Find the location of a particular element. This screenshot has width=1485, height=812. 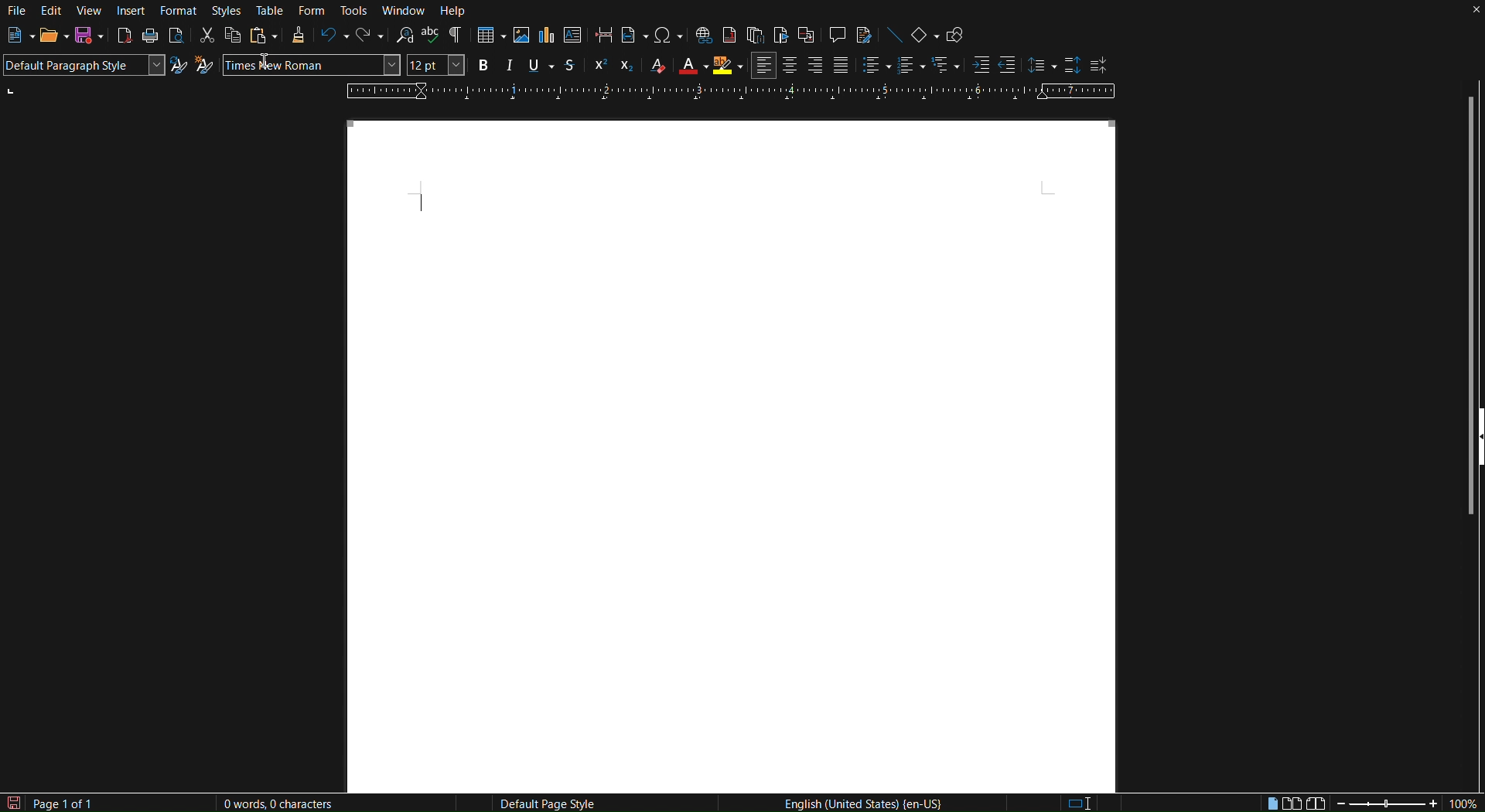

Strikethrough is located at coordinates (570, 64).